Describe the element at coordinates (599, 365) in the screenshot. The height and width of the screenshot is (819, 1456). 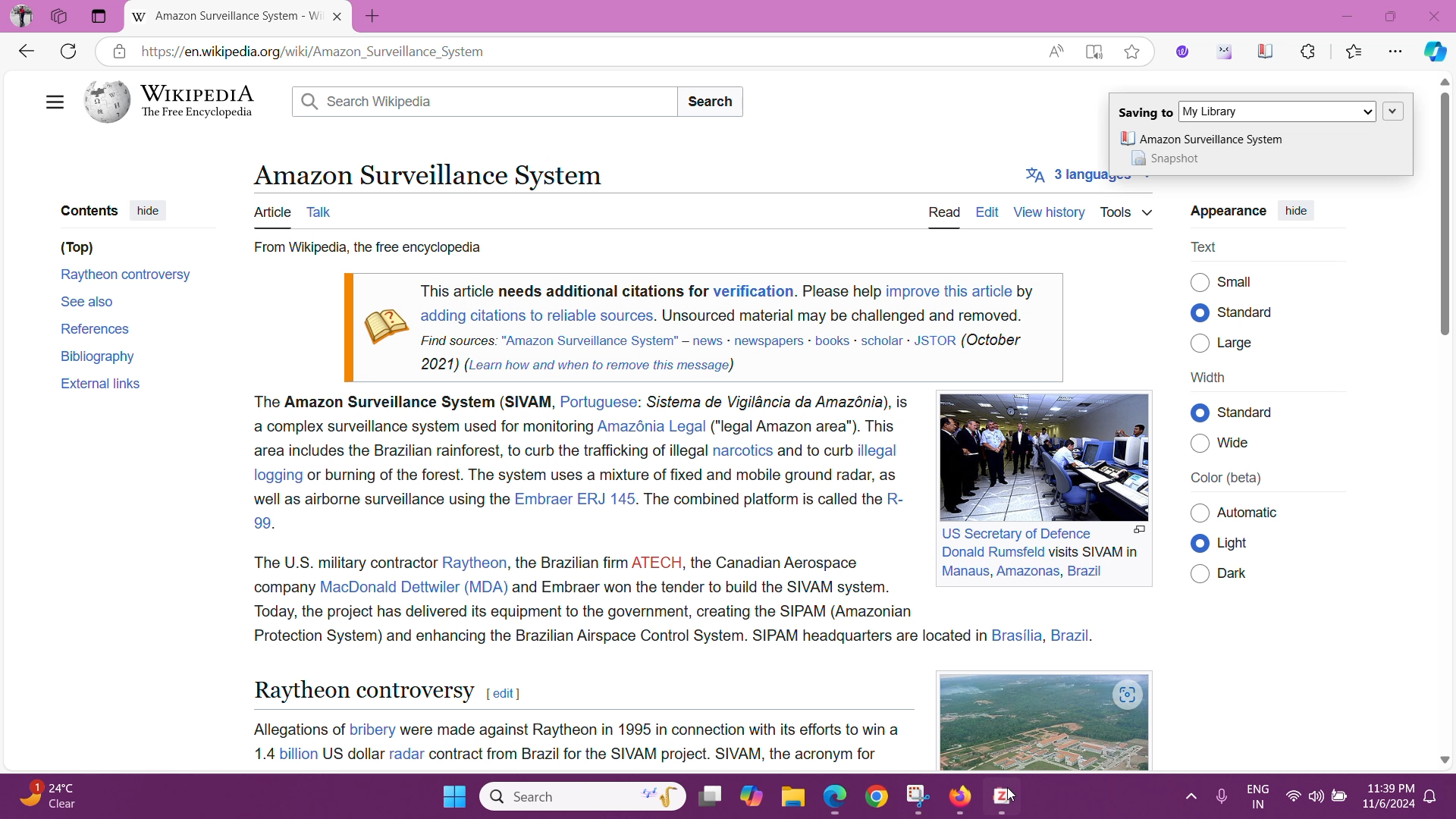
I see `(Learn how and when to remove this message)` at that location.